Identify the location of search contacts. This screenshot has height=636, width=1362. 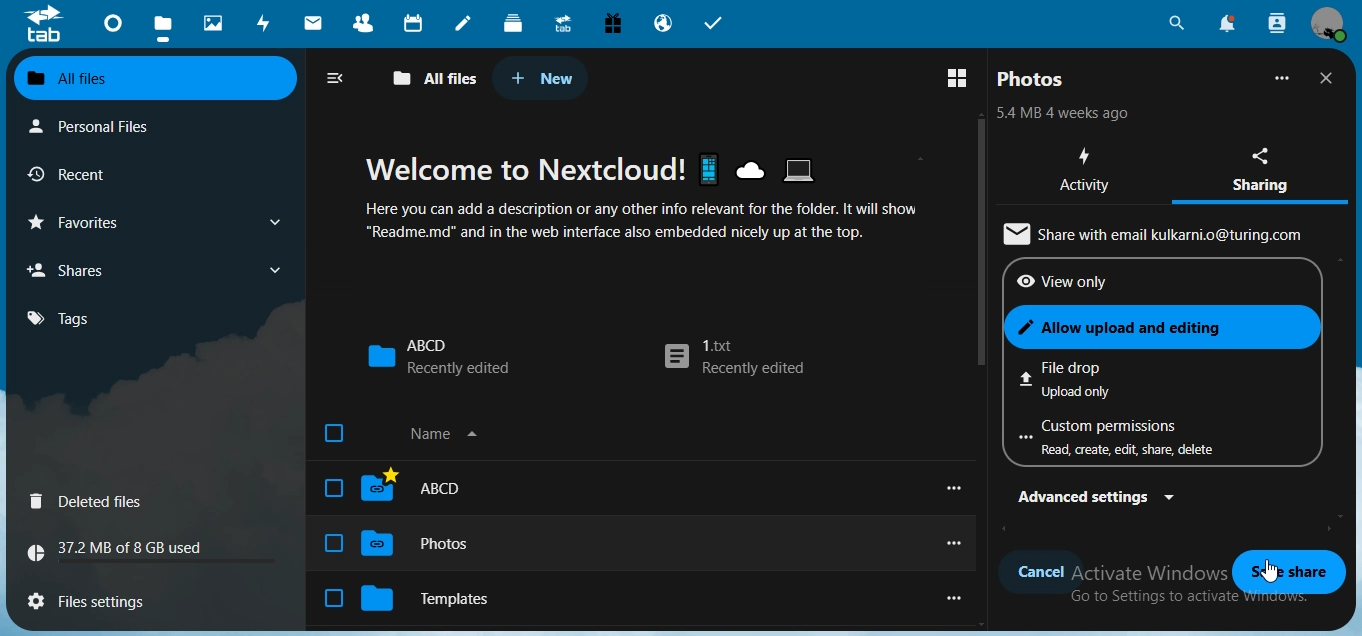
(1277, 23).